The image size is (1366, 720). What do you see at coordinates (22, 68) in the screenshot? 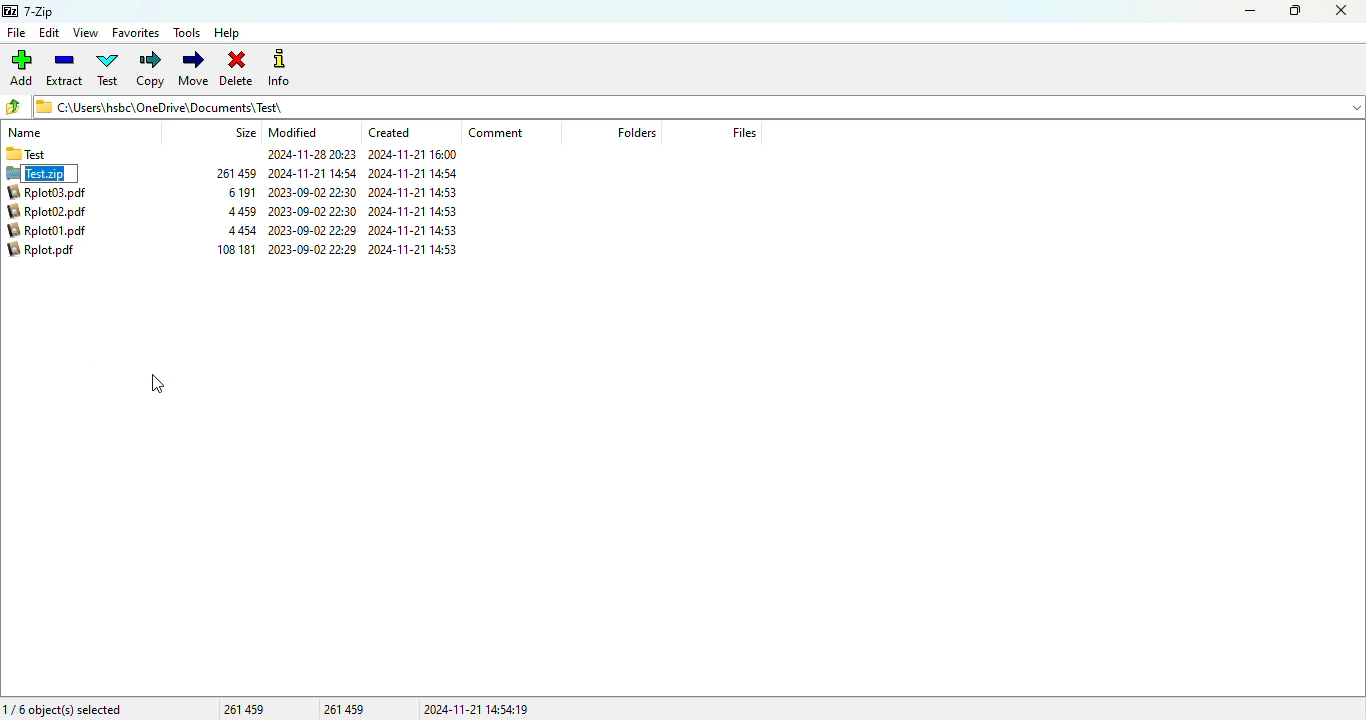
I see `add` at bounding box center [22, 68].